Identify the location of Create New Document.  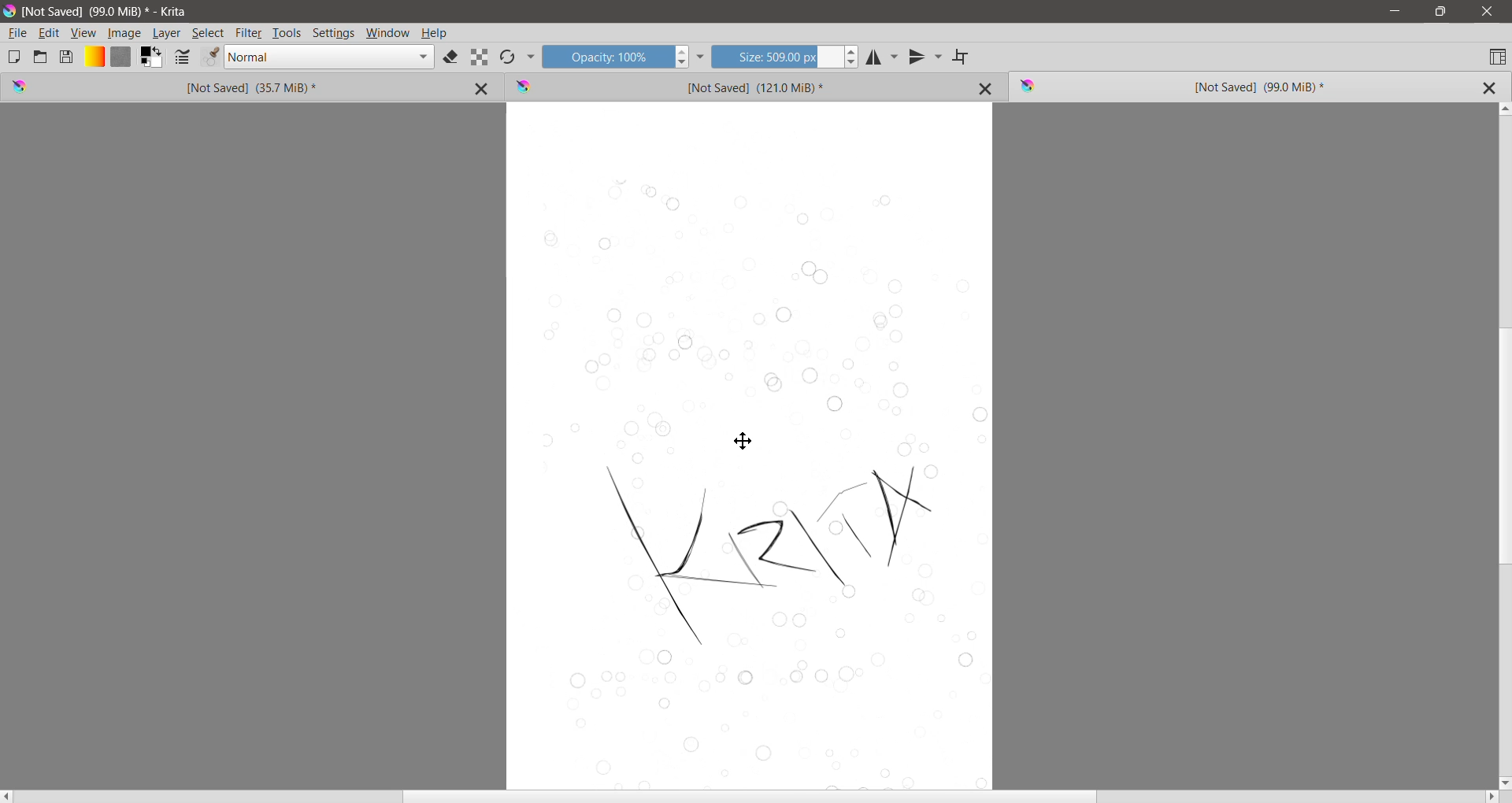
(13, 57).